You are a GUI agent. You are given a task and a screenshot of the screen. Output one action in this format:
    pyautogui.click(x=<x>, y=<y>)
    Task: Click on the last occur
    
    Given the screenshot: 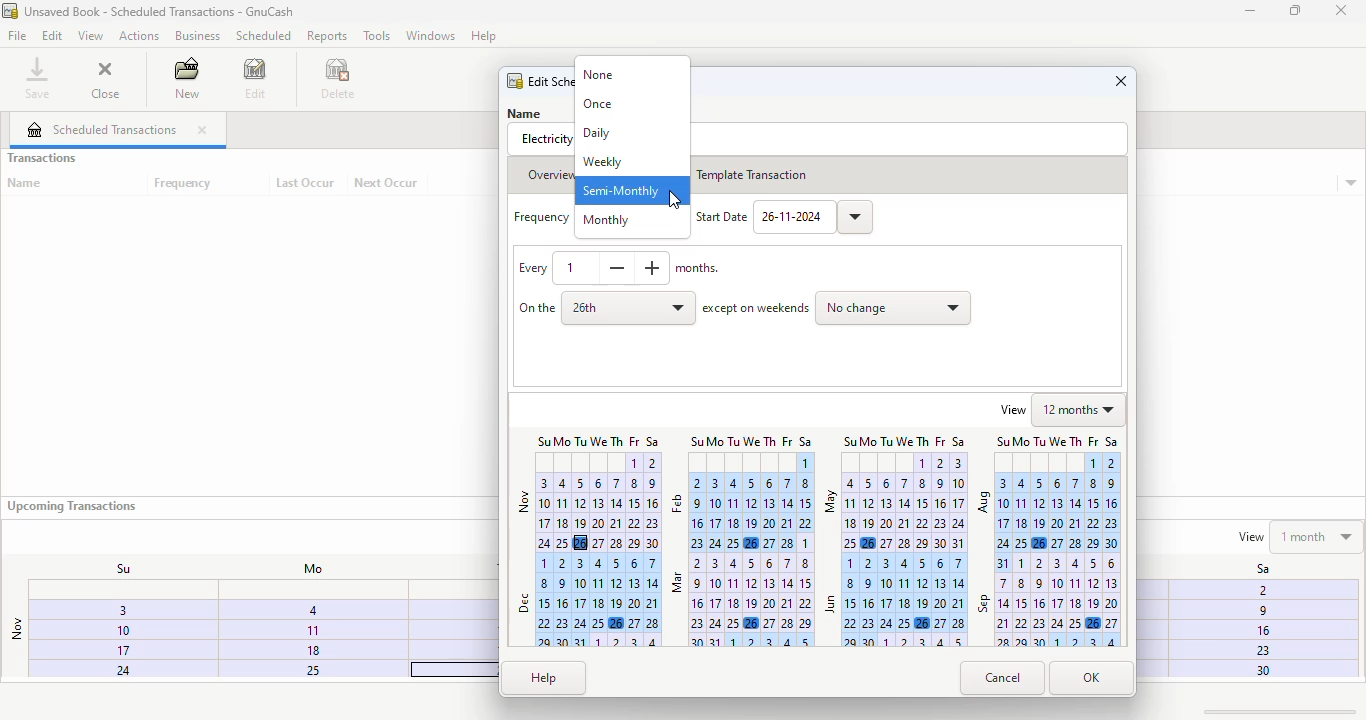 What is the action you would take?
    pyautogui.click(x=305, y=183)
    